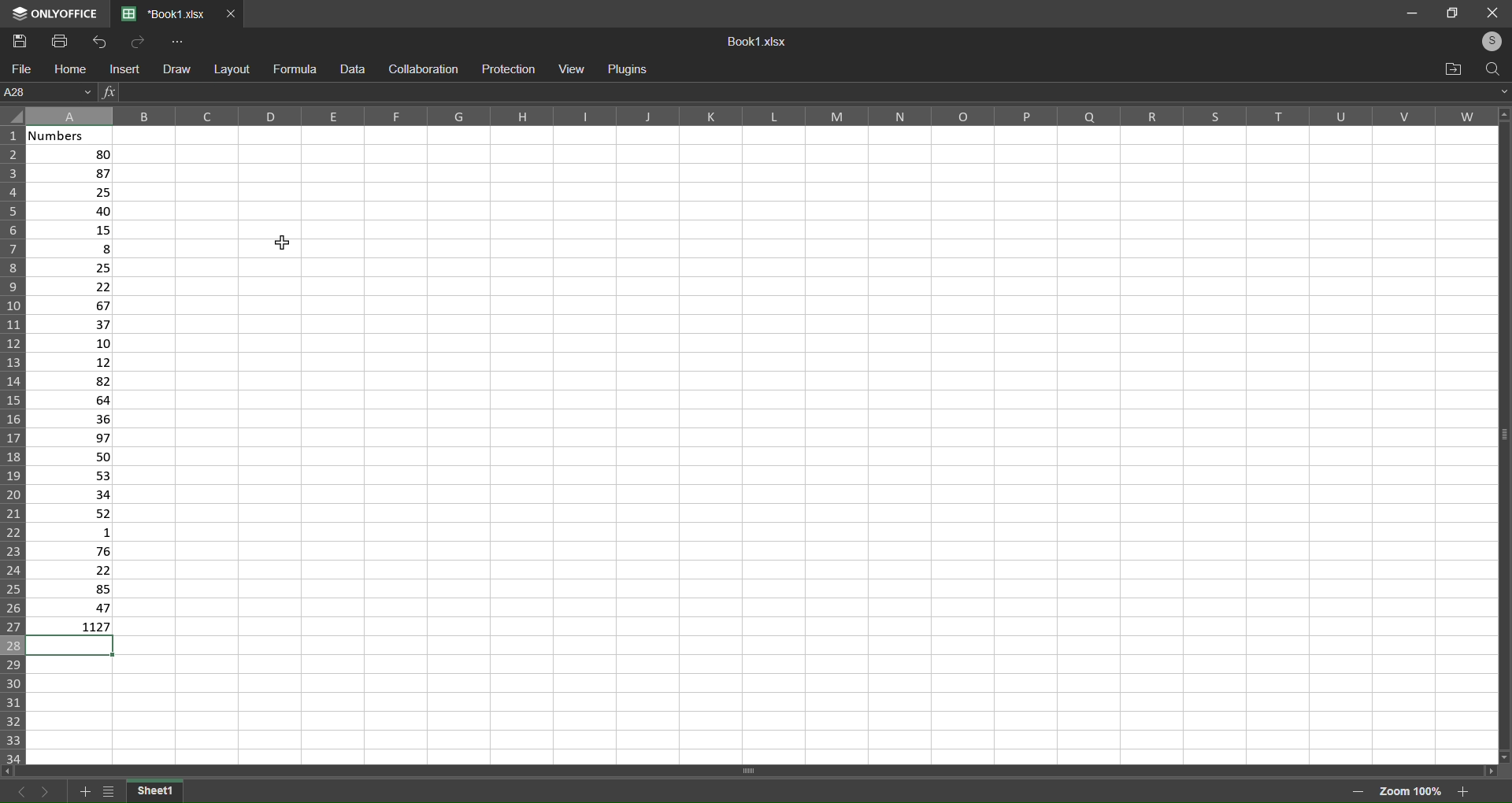  What do you see at coordinates (1501, 89) in the screenshot?
I see `expand` at bounding box center [1501, 89].